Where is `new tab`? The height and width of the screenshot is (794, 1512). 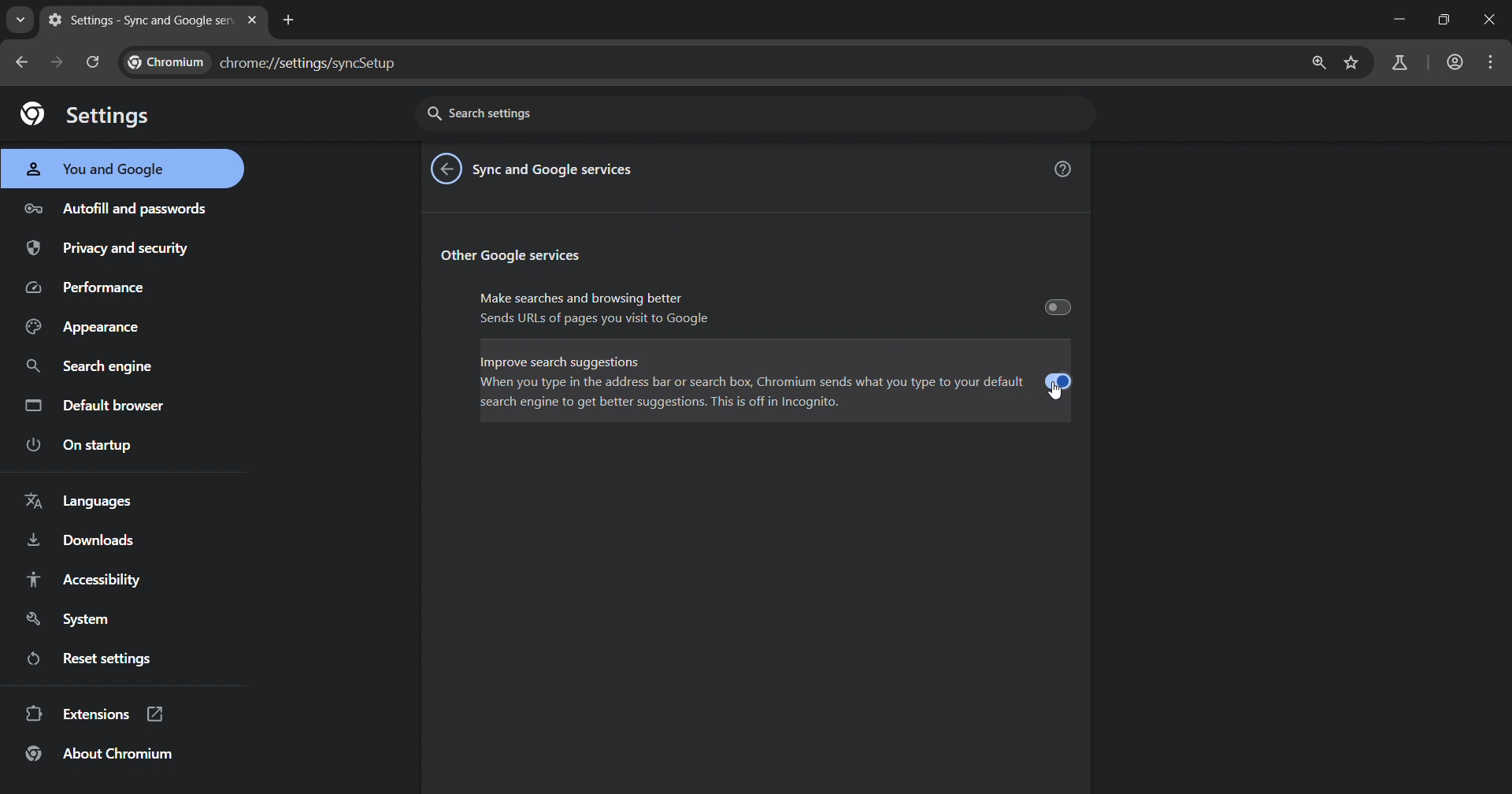 new tab is located at coordinates (140, 21).